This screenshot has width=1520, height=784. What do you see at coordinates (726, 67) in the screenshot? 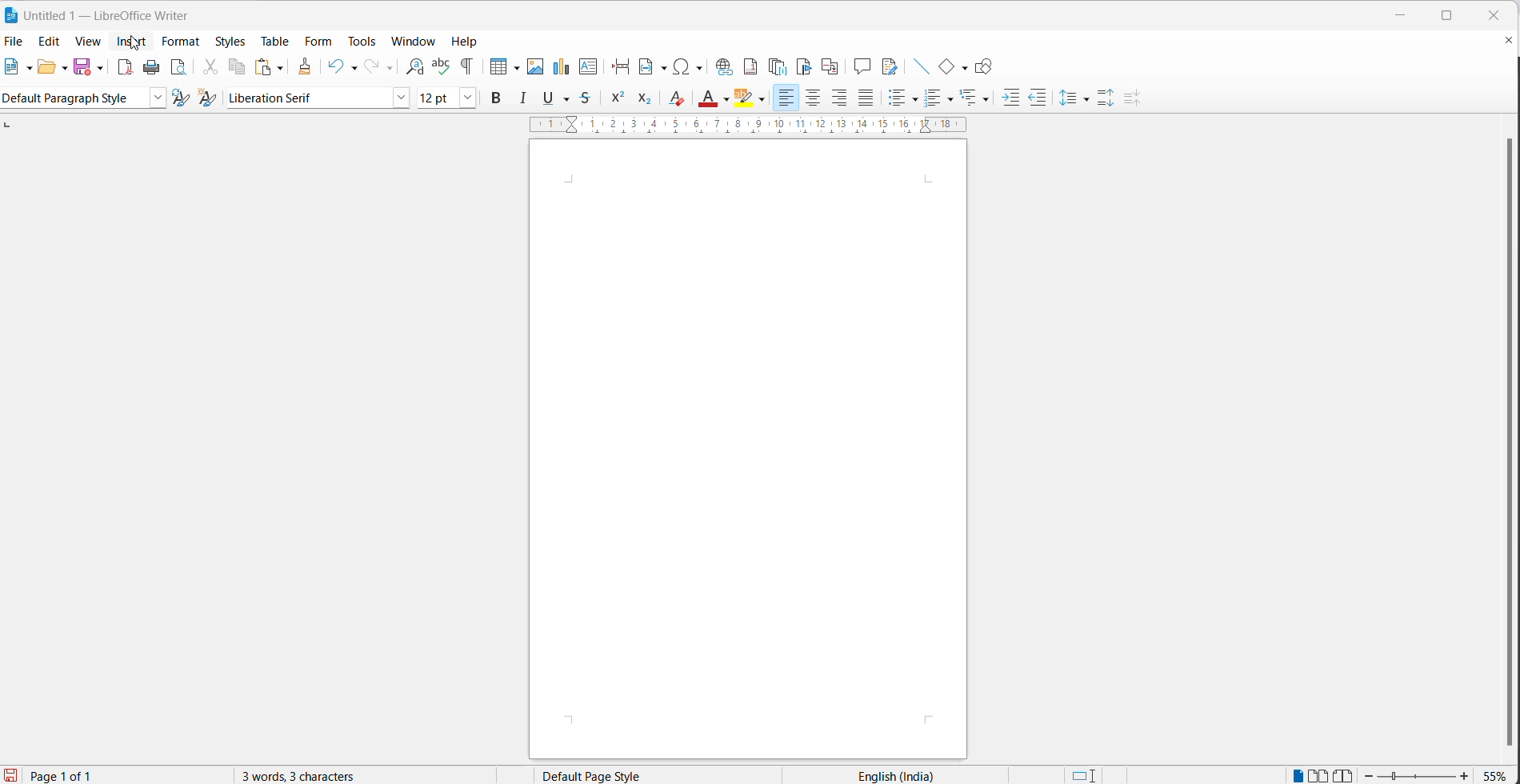
I see `insert hyperlinks` at bounding box center [726, 67].